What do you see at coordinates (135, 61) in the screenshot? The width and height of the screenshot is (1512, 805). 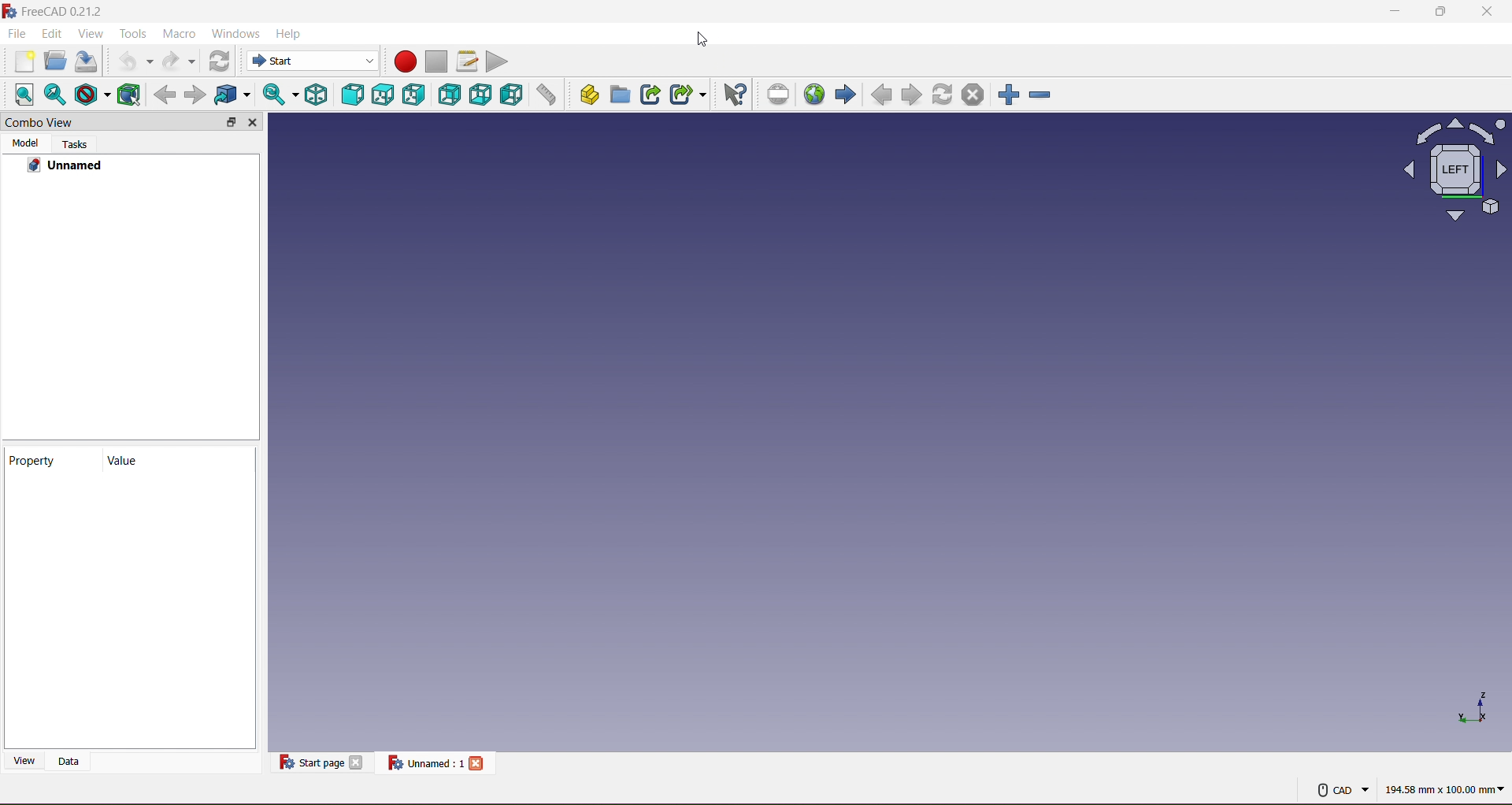 I see `Undo` at bounding box center [135, 61].